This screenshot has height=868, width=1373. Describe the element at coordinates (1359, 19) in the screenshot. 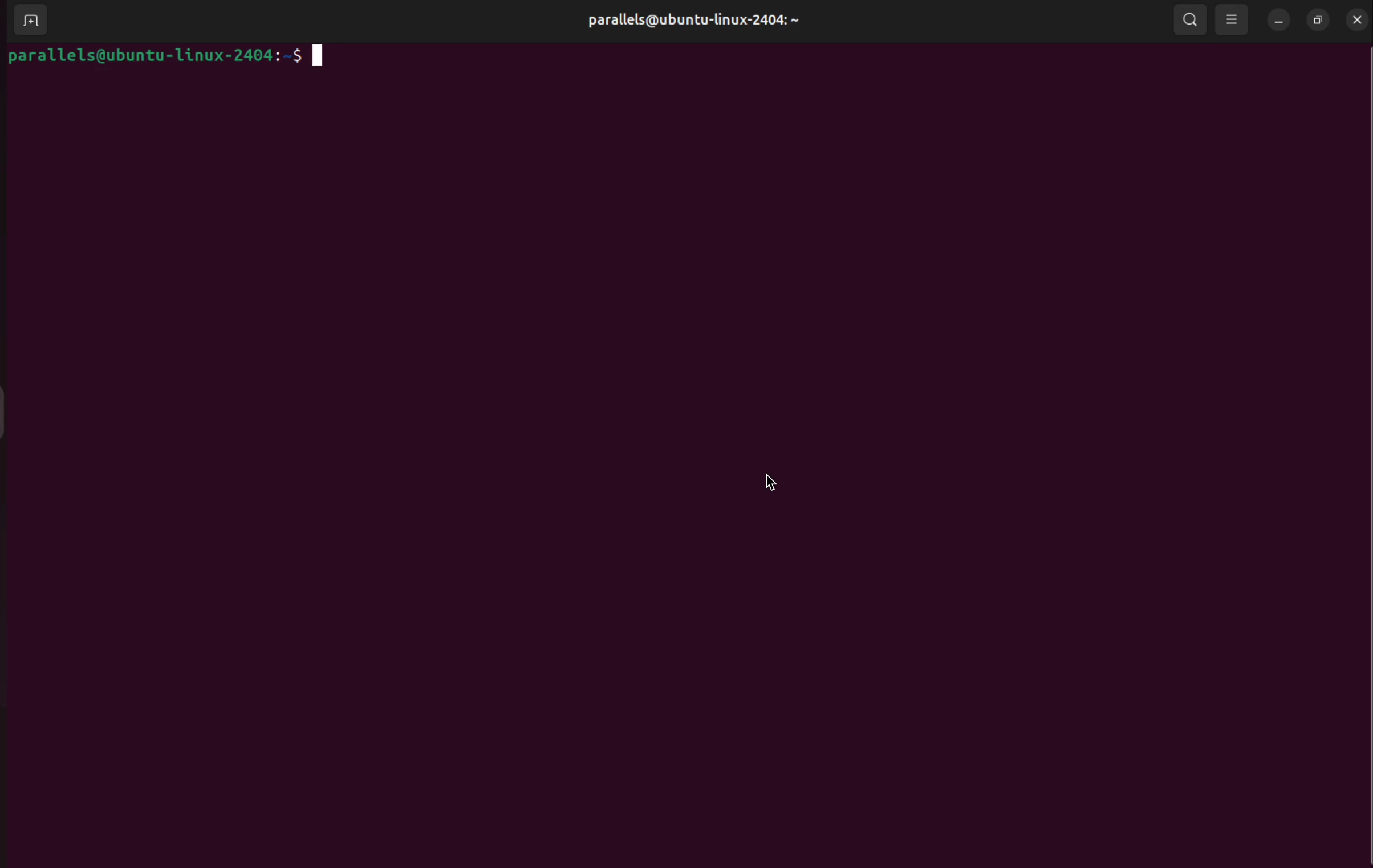

I see `close` at that location.